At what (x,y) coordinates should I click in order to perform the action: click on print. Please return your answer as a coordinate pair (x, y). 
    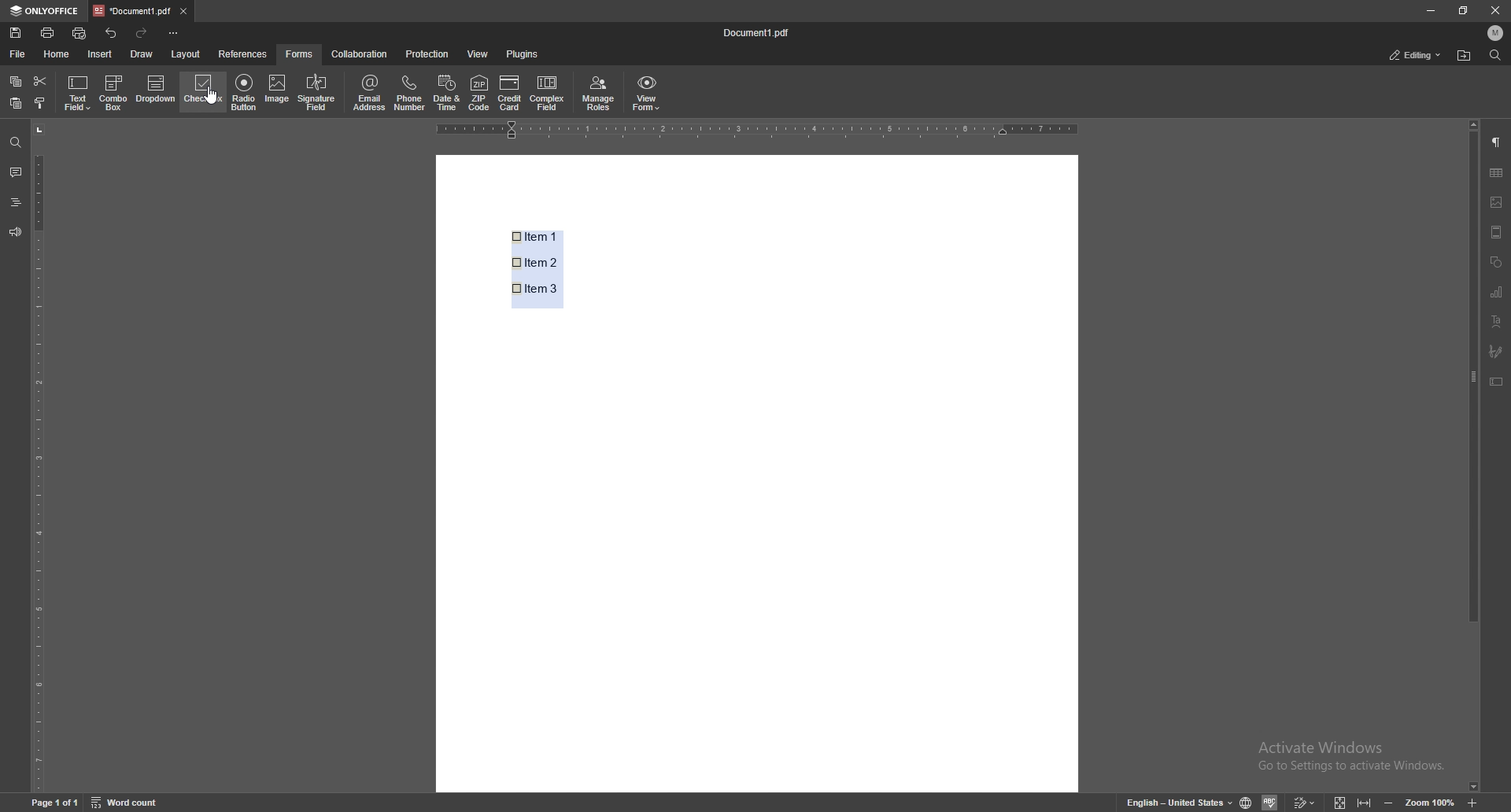
    Looking at the image, I should click on (48, 32).